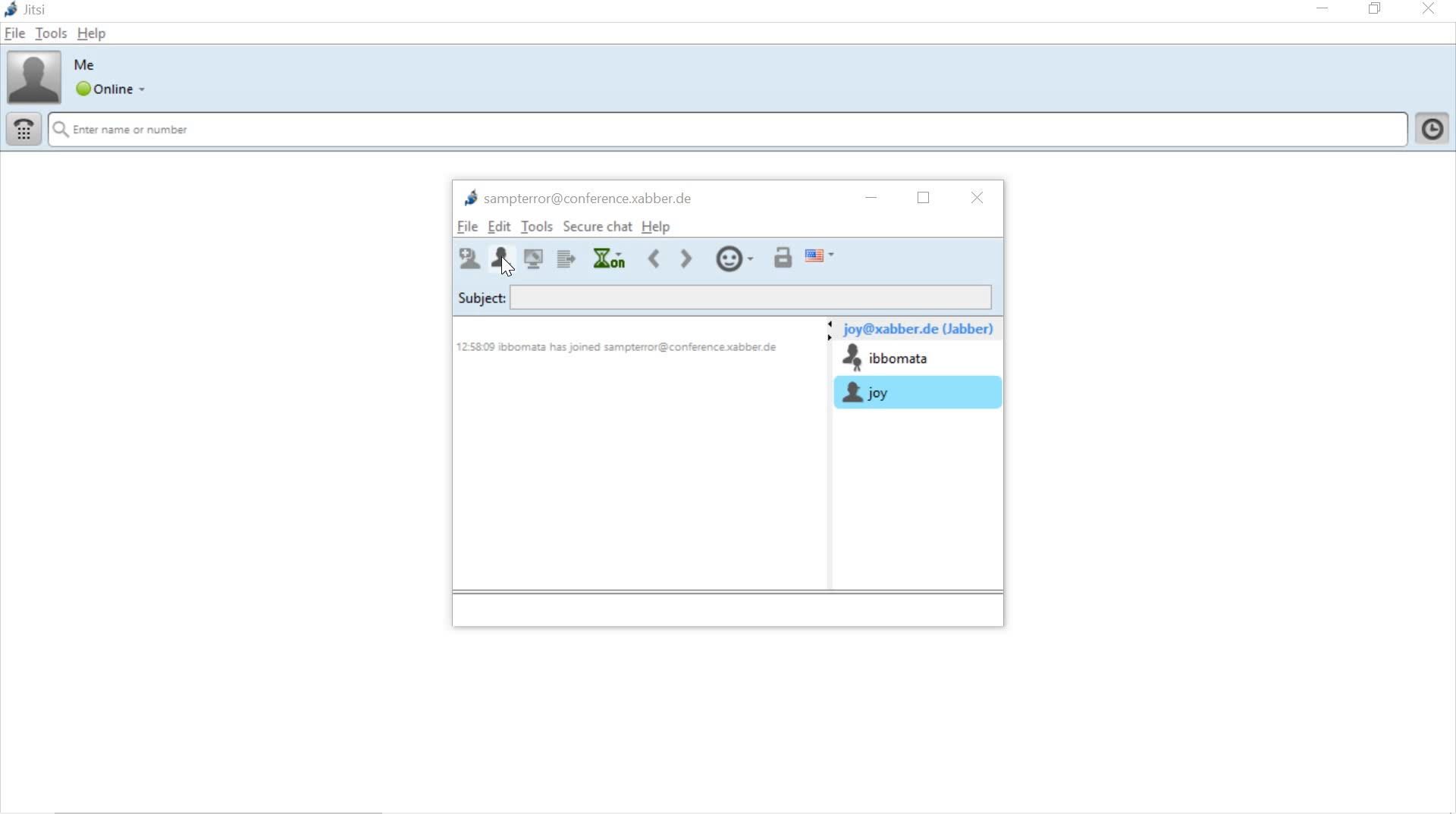  What do you see at coordinates (924, 199) in the screenshot?
I see `restore down` at bounding box center [924, 199].